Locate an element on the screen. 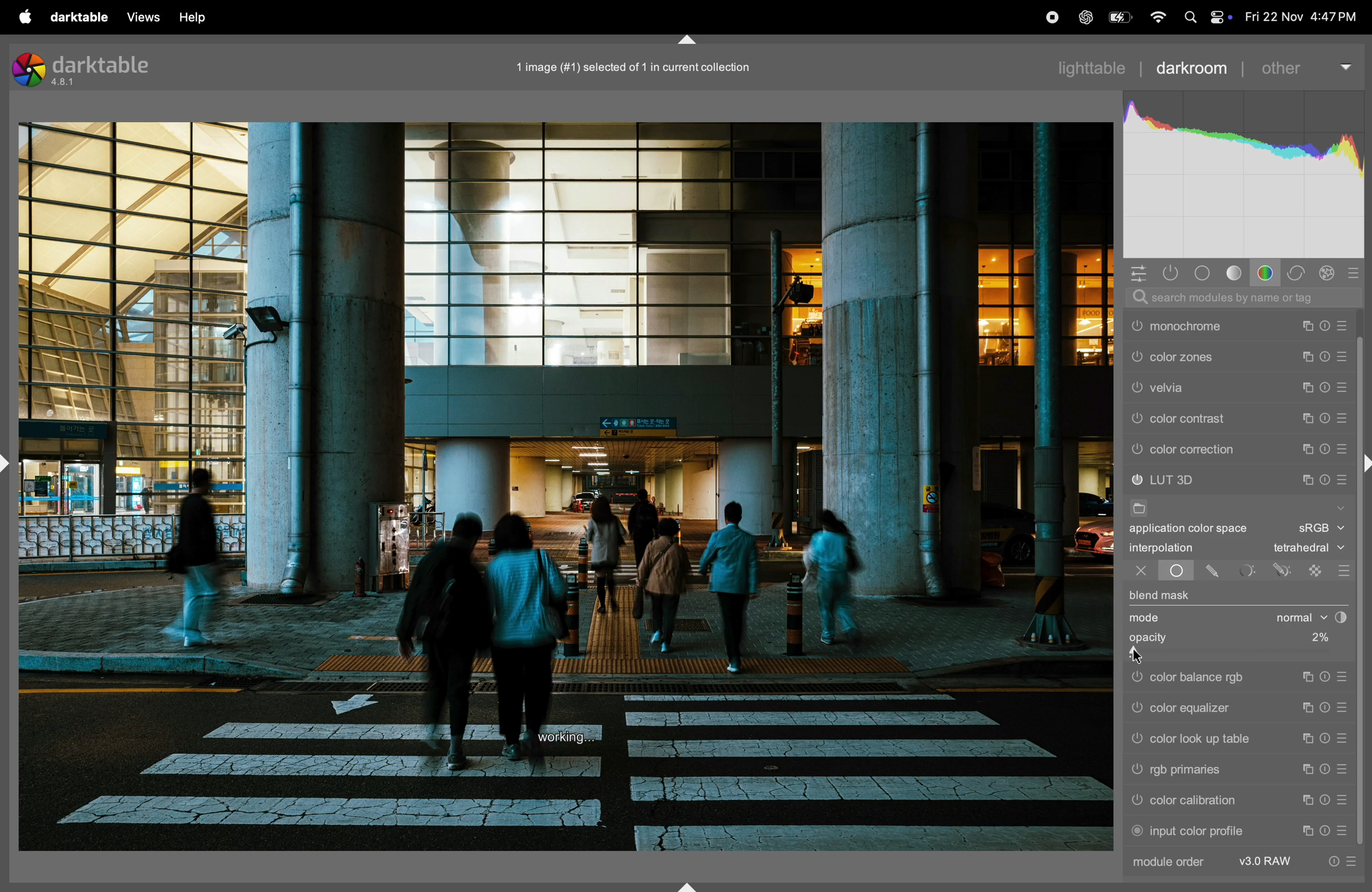 This screenshot has width=1372, height=892. wifi is located at coordinates (1155, 17).